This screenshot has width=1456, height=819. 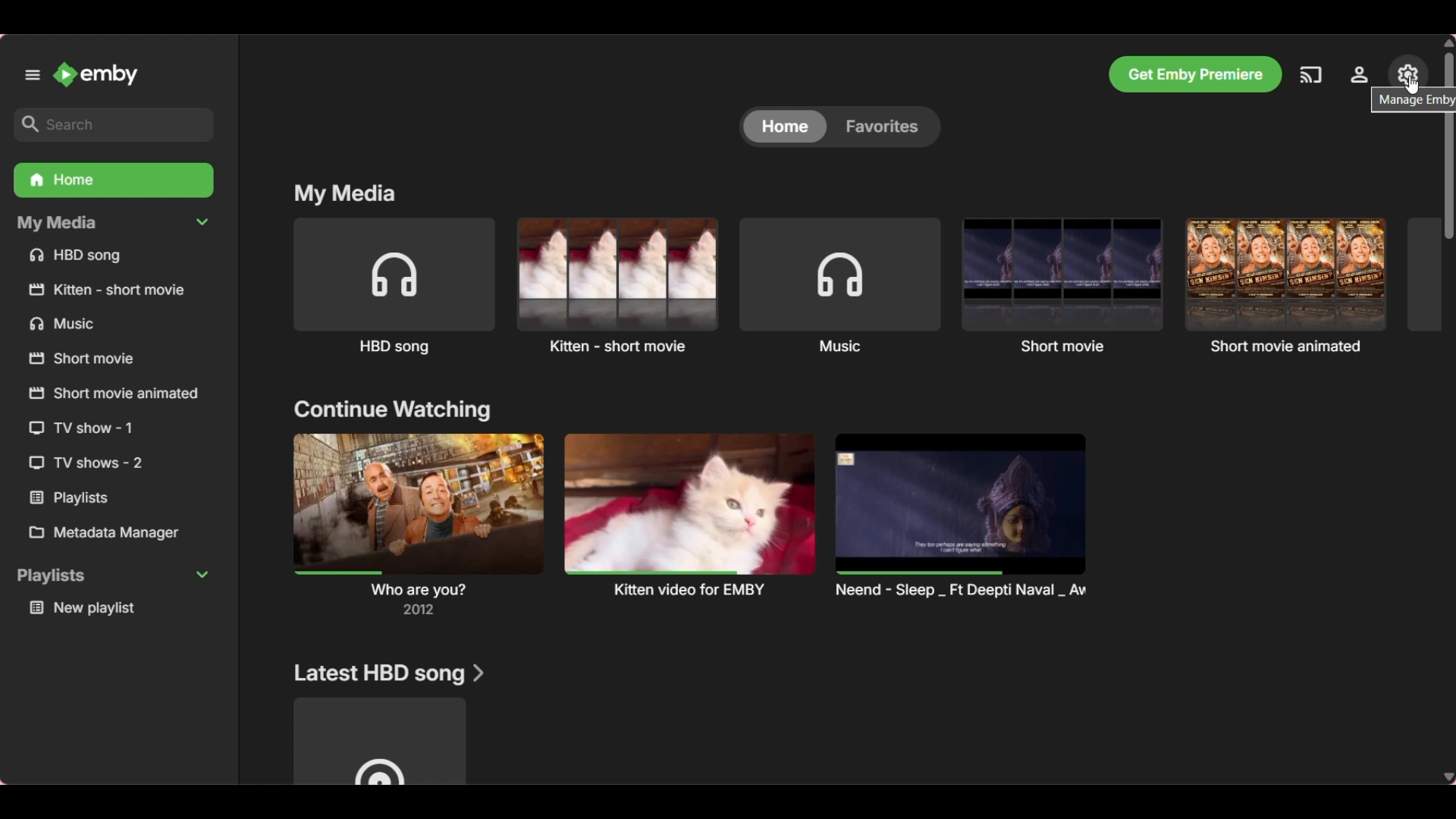 What do you see at coordinates (116, 322) in the screenshot?
I see `Music` at bounding box center [116, 322].